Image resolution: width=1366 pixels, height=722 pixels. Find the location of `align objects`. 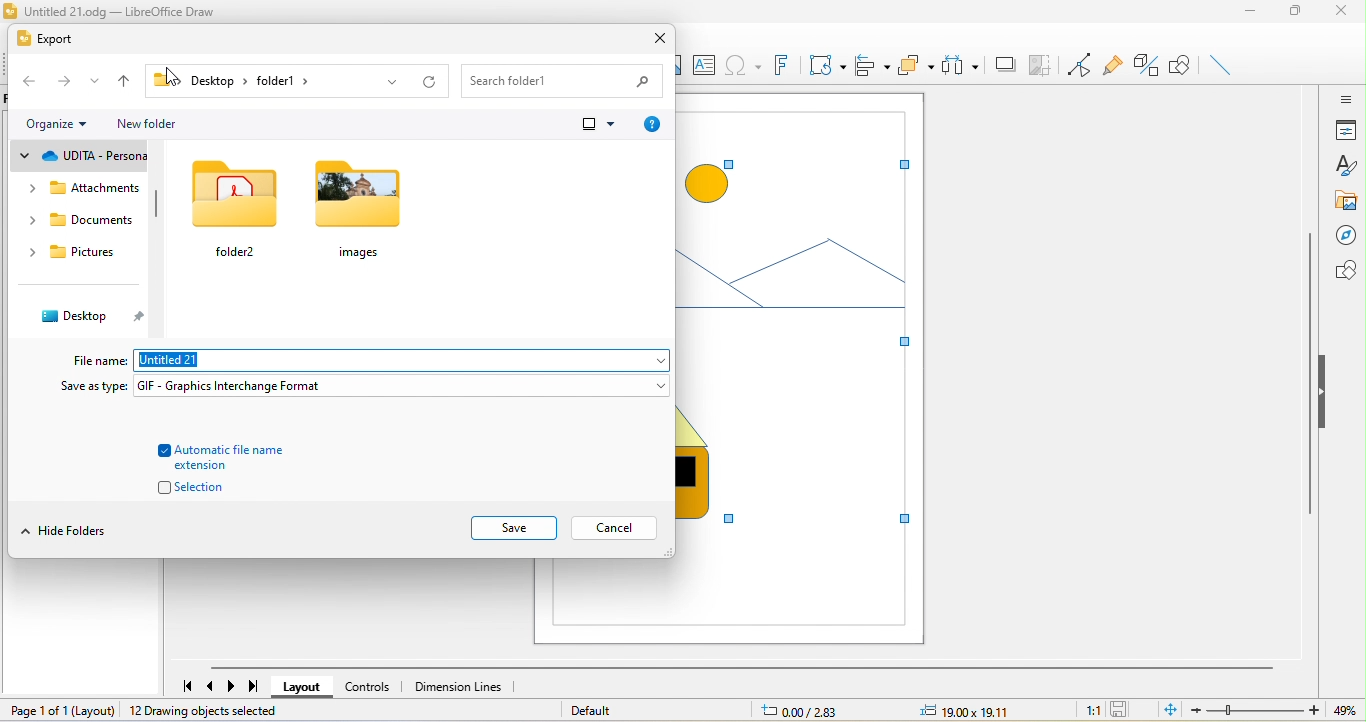

align objects is located at coordinates (874, 64).